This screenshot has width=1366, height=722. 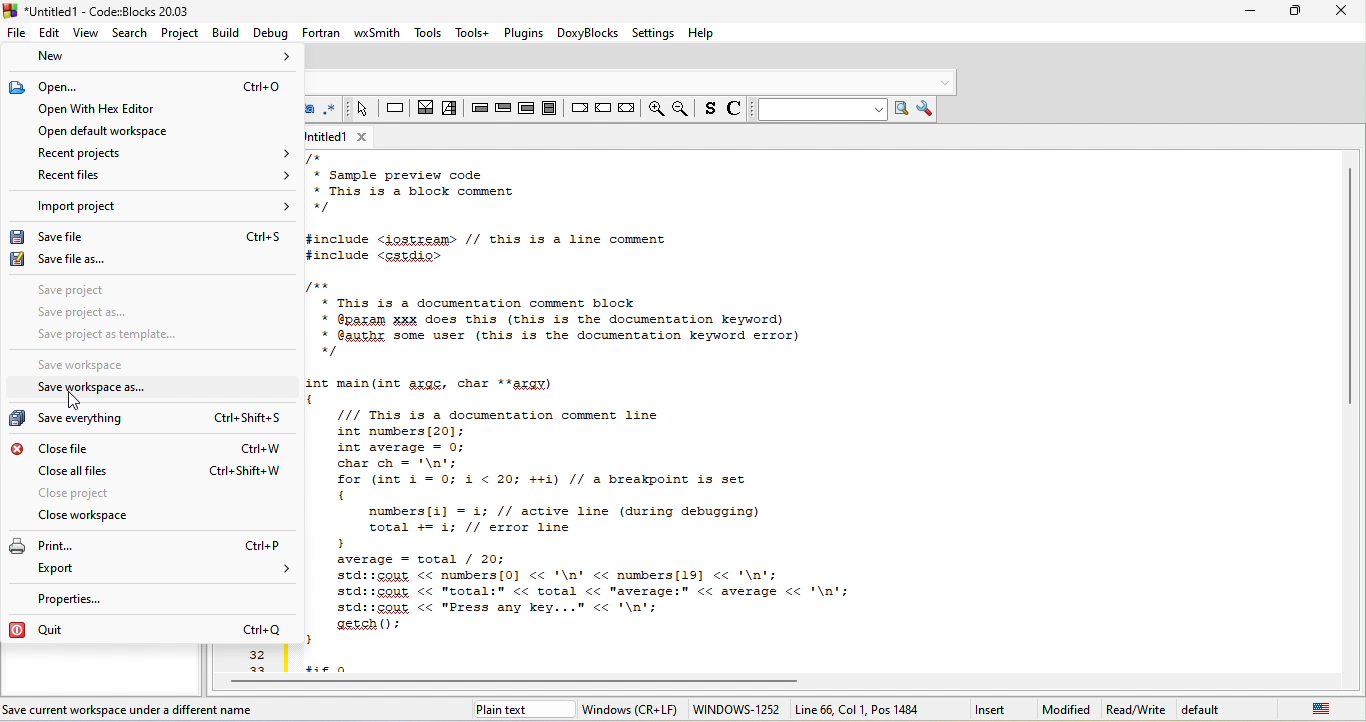 What do you see at coordinates (111, 130) in the screenshot?
I see `open default workspace` at bounding box center [111, 130].